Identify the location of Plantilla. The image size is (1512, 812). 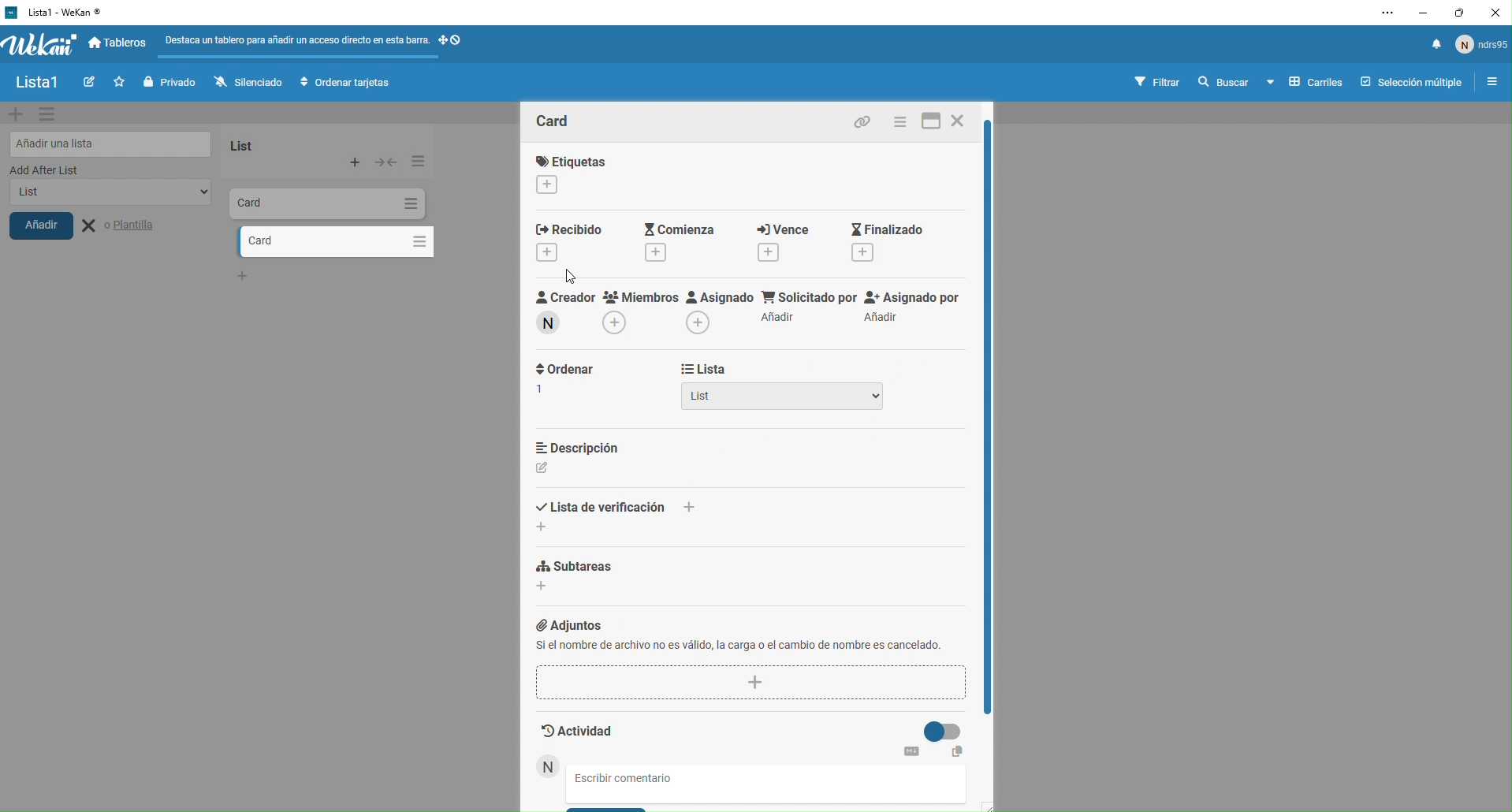
(131, 226).